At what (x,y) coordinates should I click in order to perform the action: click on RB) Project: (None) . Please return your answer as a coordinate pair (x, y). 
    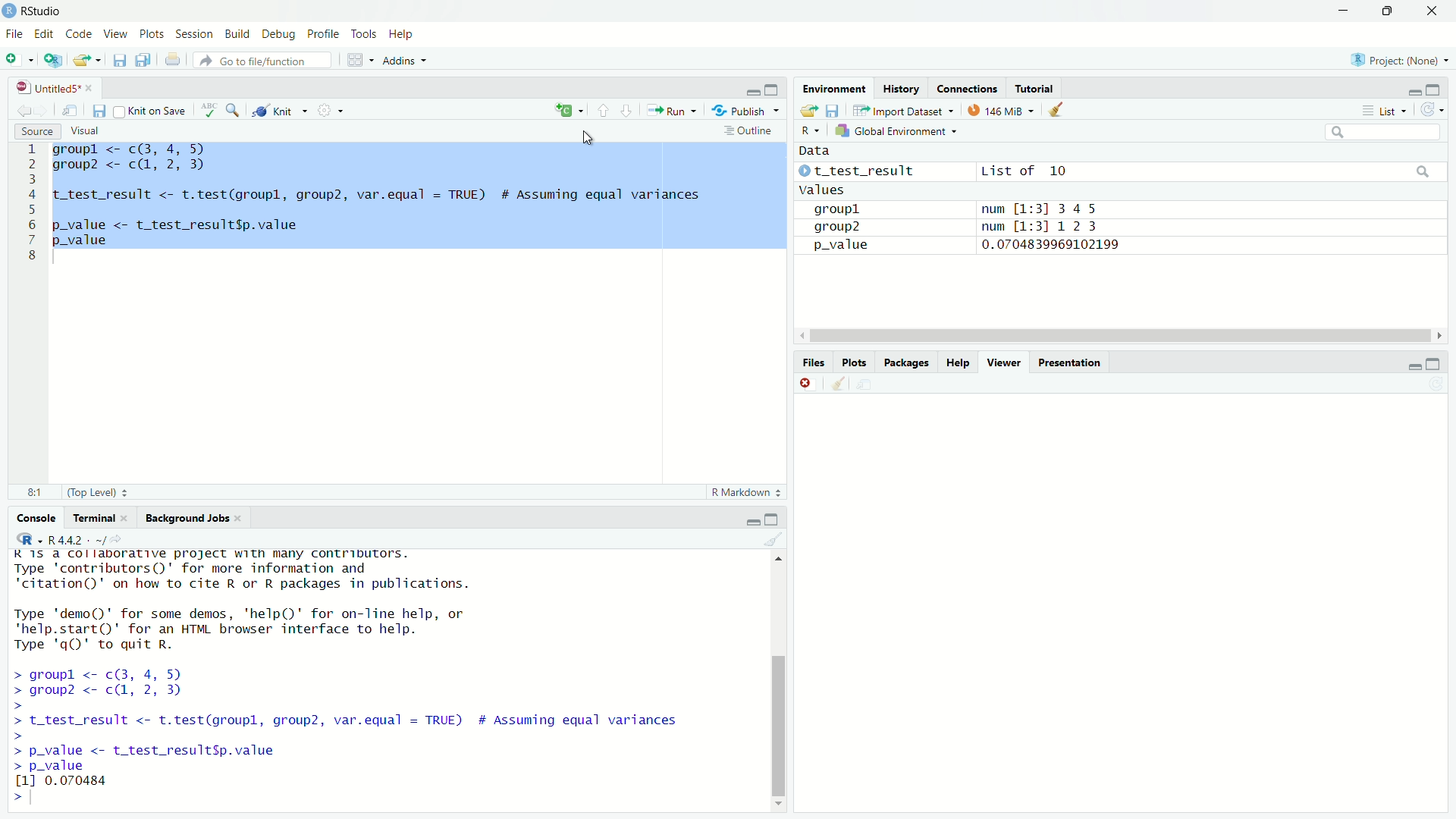
    Looking at the image, I should click on (1394, 58).